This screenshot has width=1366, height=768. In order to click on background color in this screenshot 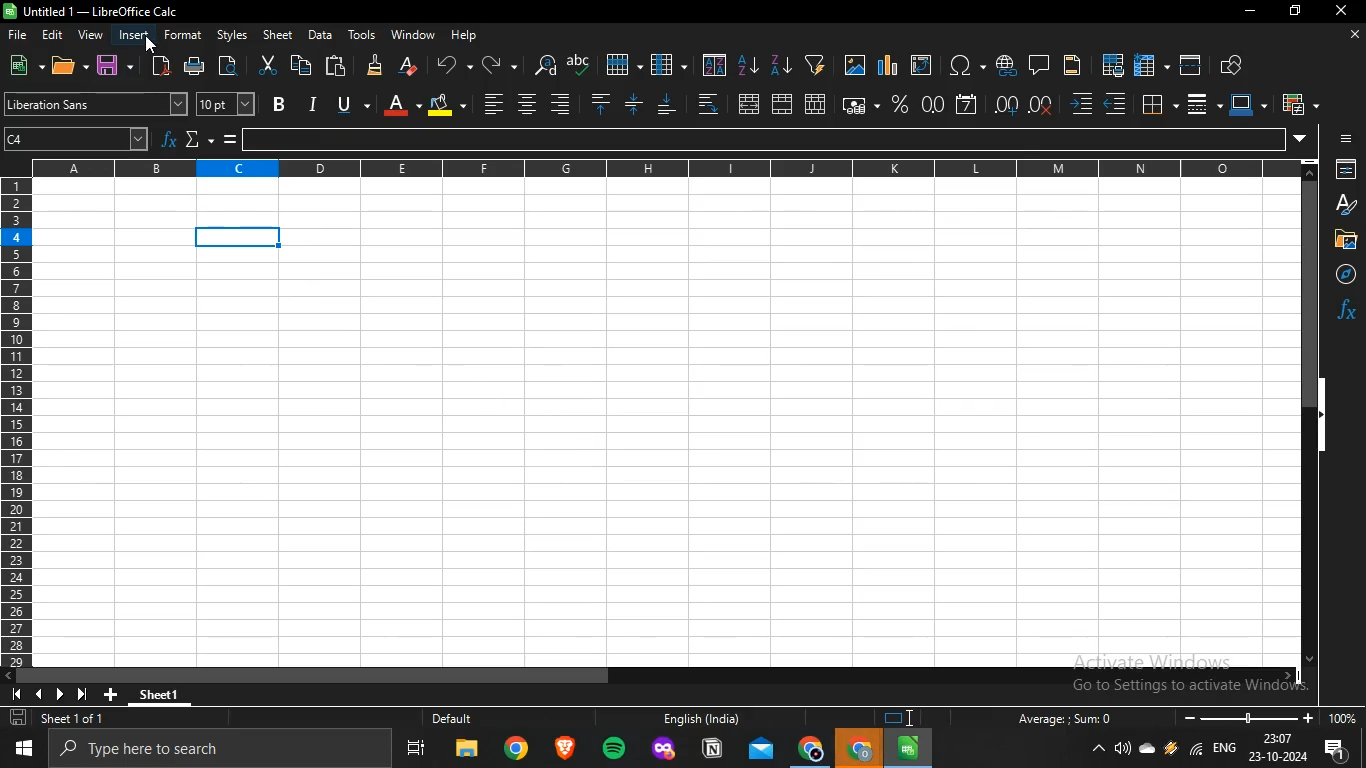, I will do `click(446, 104)`.